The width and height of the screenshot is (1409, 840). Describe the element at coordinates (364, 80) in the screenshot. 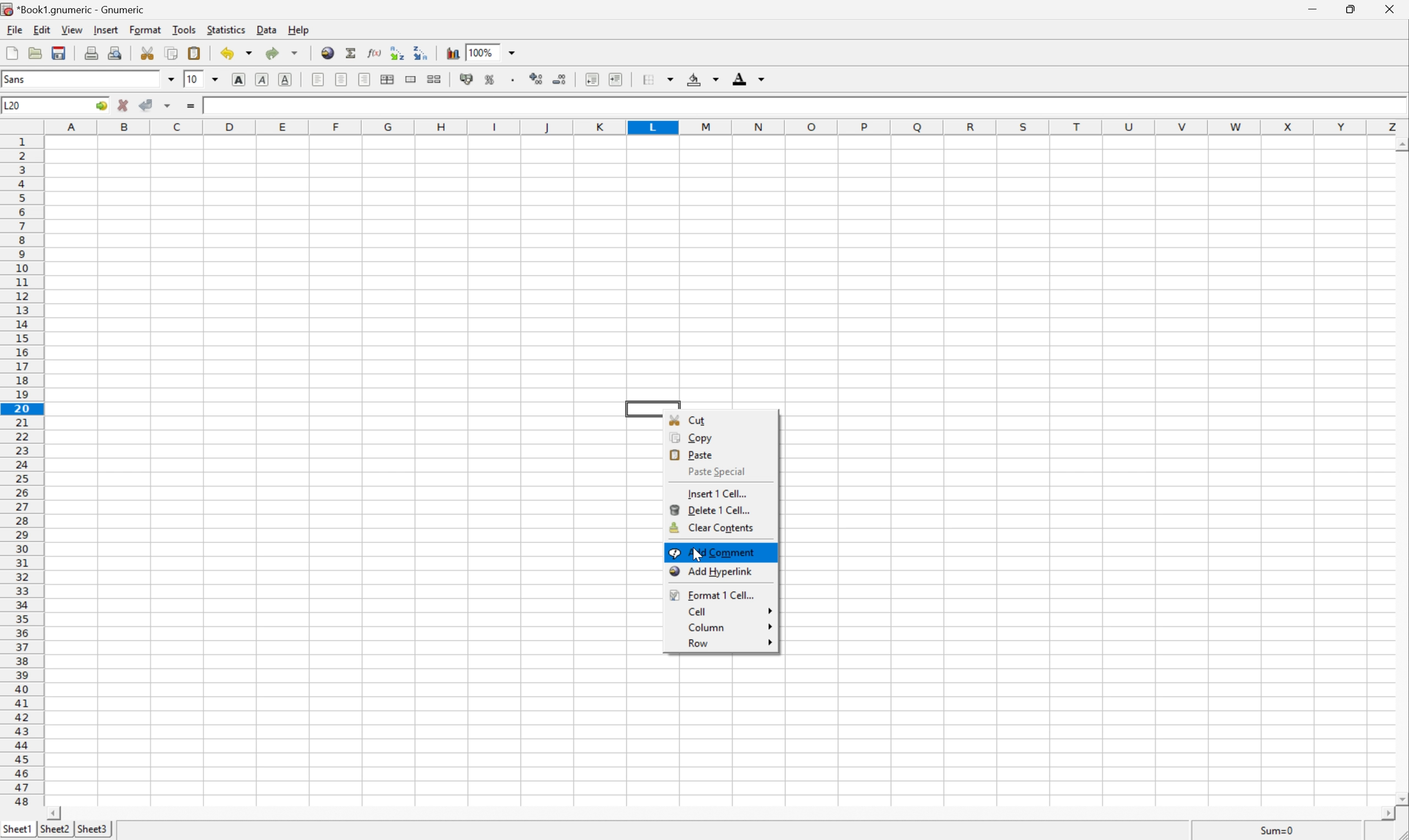

I see `Center Right` at that location.